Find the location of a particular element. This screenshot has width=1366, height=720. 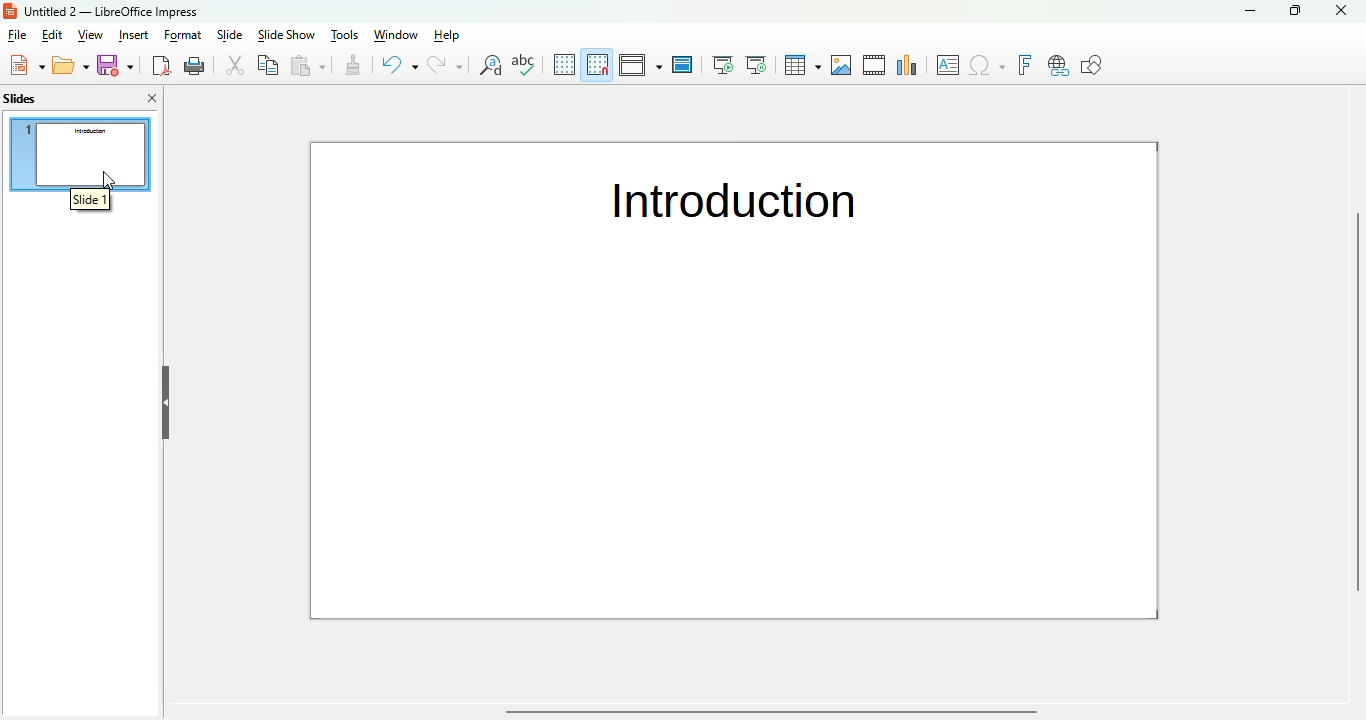

clone formatting is located at coordinates (353, 65).